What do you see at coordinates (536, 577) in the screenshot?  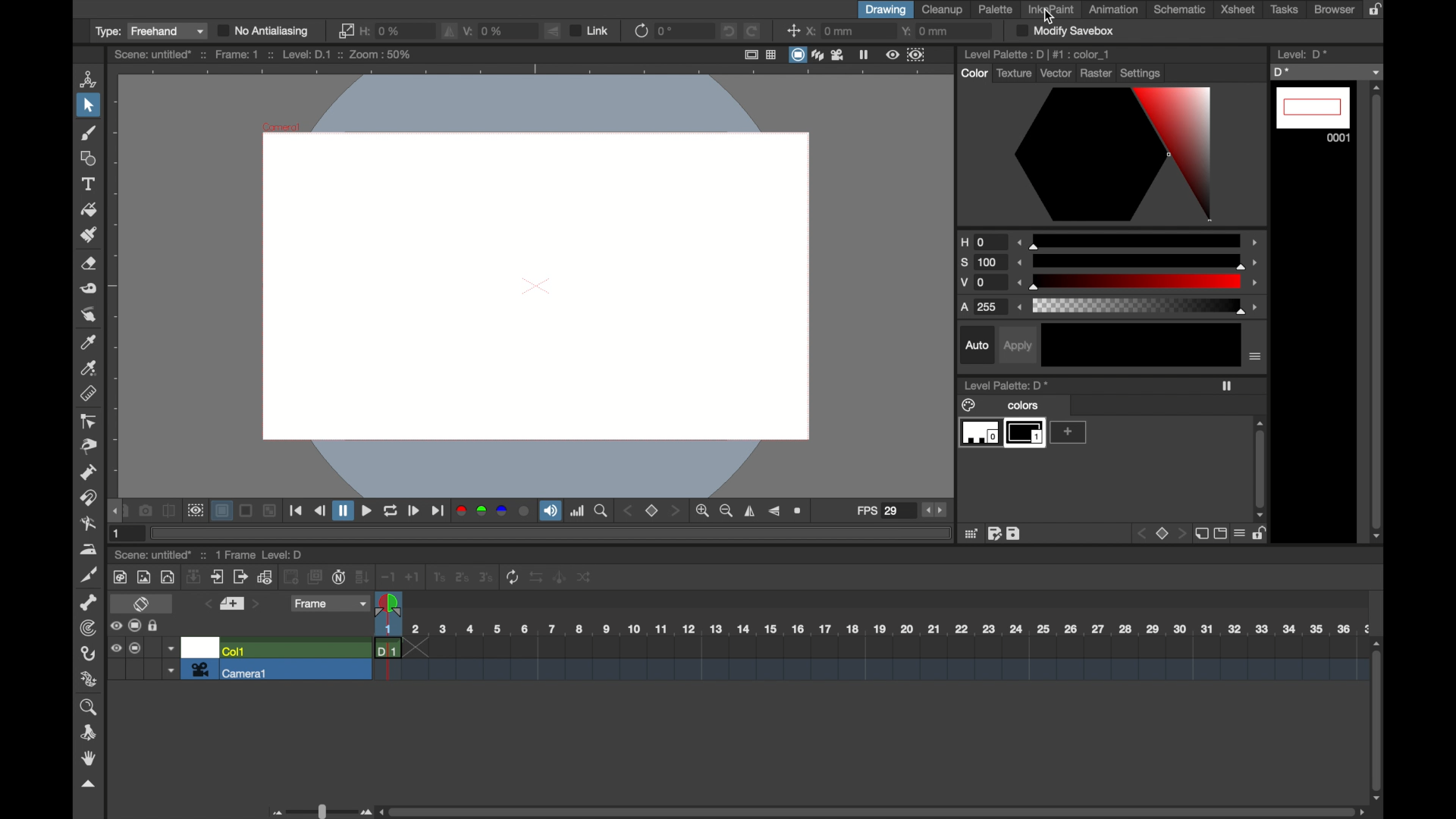 I see `swap` at bounding box center [536, 577].